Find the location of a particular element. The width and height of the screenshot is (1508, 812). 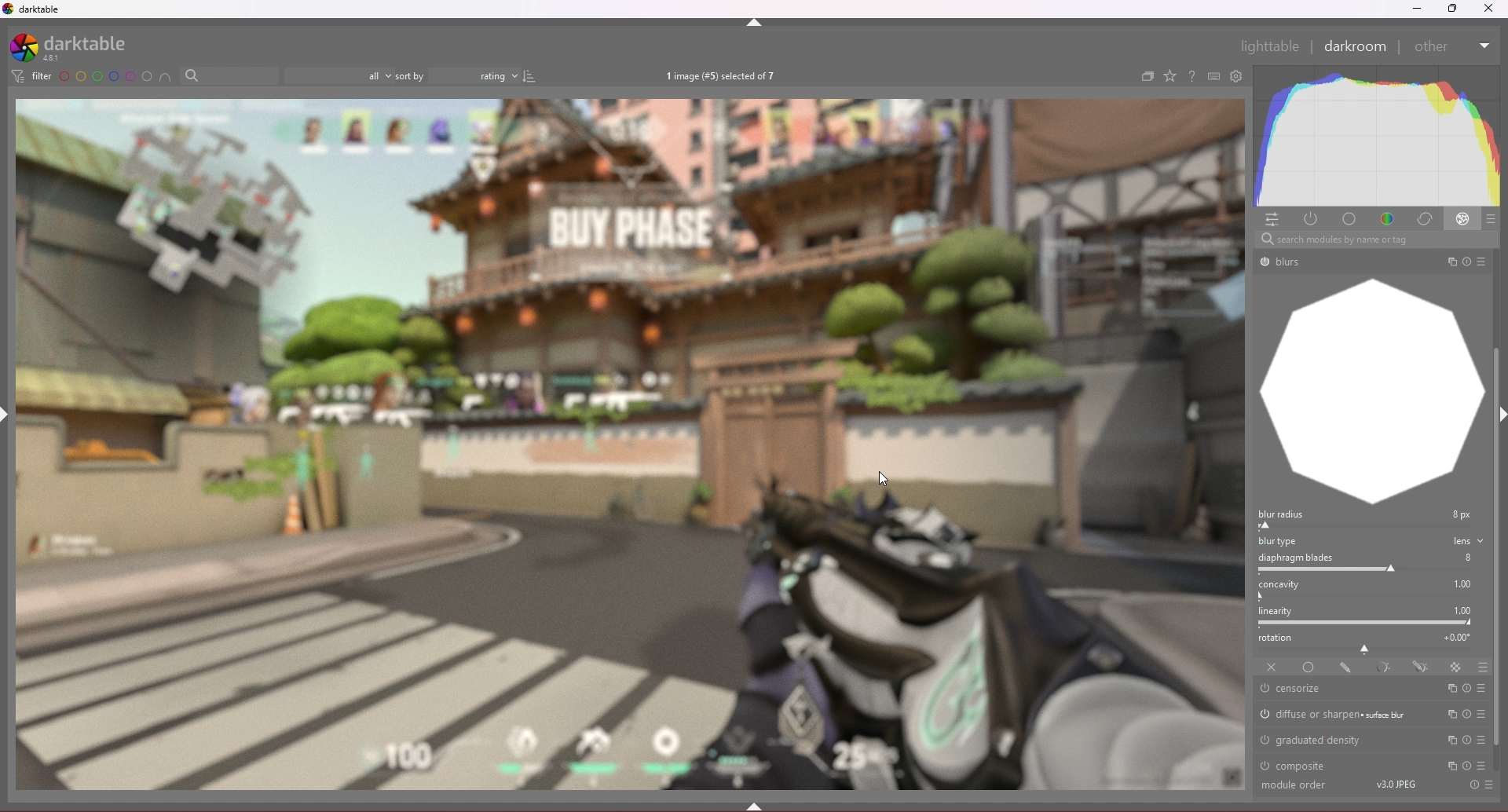

 is located at coordinates (1452, 262).